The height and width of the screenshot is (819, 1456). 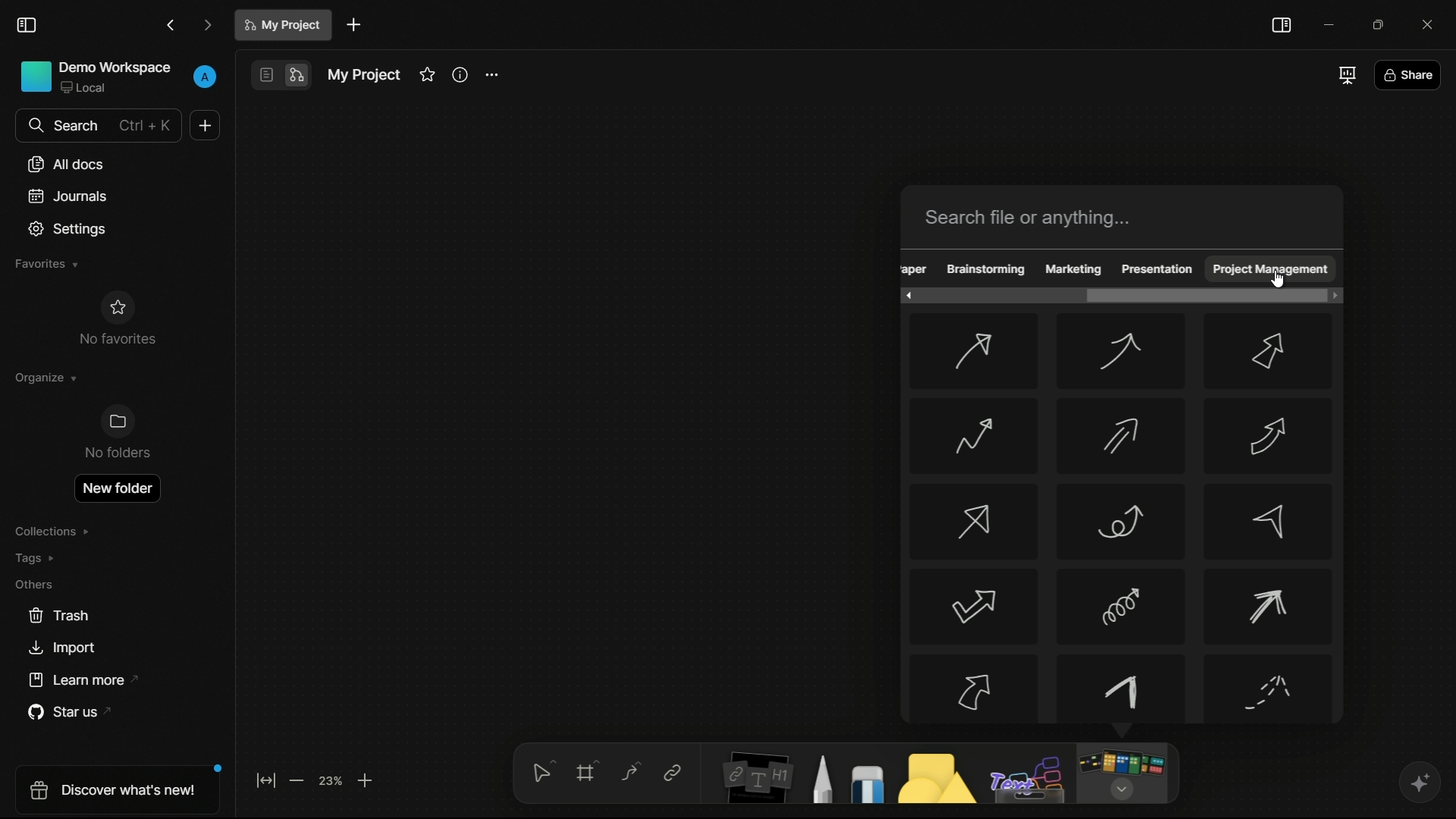 I want to click on arrow-9, so click(x=1266, y=522).